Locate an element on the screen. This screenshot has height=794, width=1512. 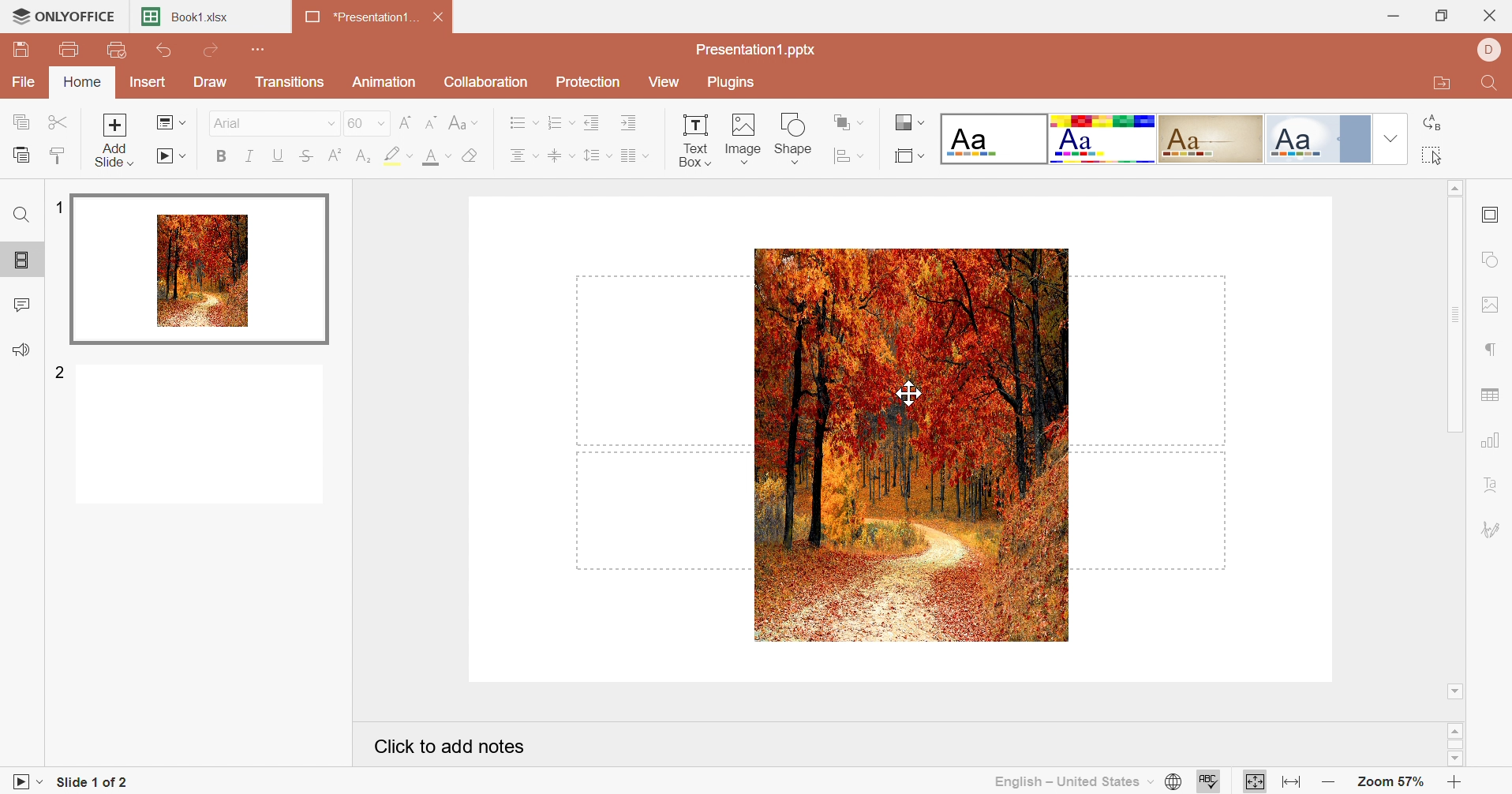
Click to add notes is located at coordinates (447, 747).